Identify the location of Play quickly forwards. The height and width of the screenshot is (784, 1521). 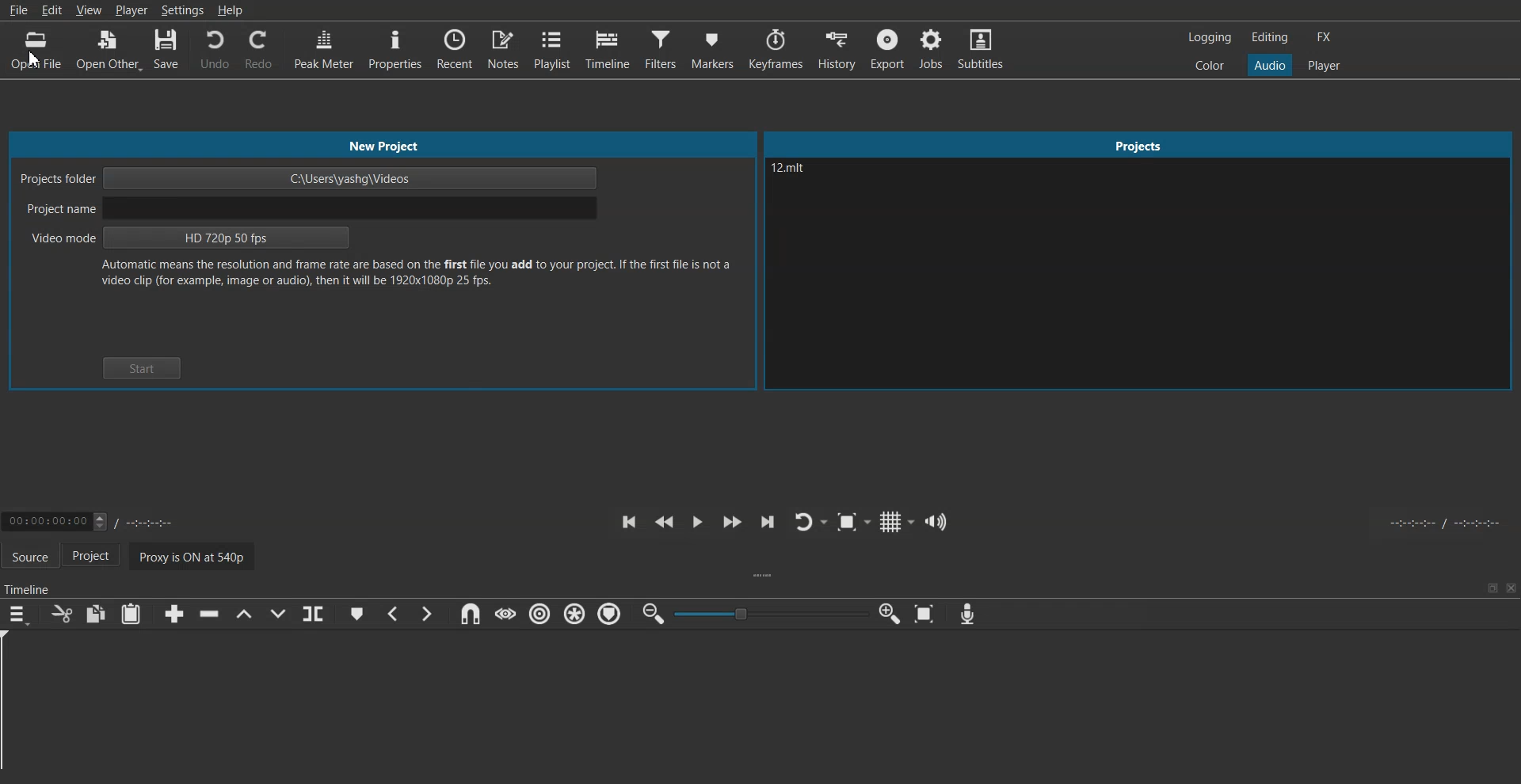
(730, 522).